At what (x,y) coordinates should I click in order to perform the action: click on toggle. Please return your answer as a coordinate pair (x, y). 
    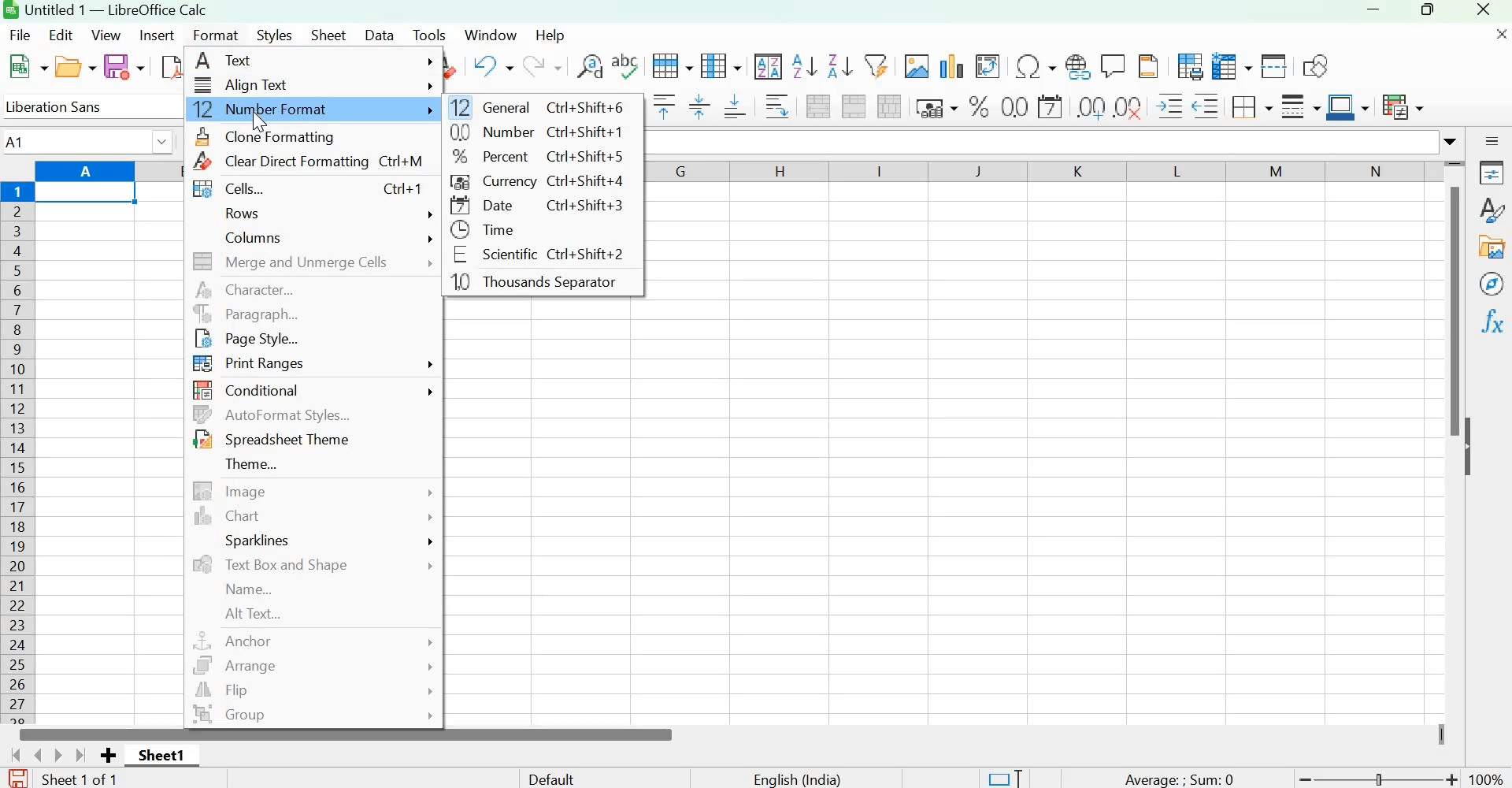
    Looking at the image, I should click on (1383, 775).